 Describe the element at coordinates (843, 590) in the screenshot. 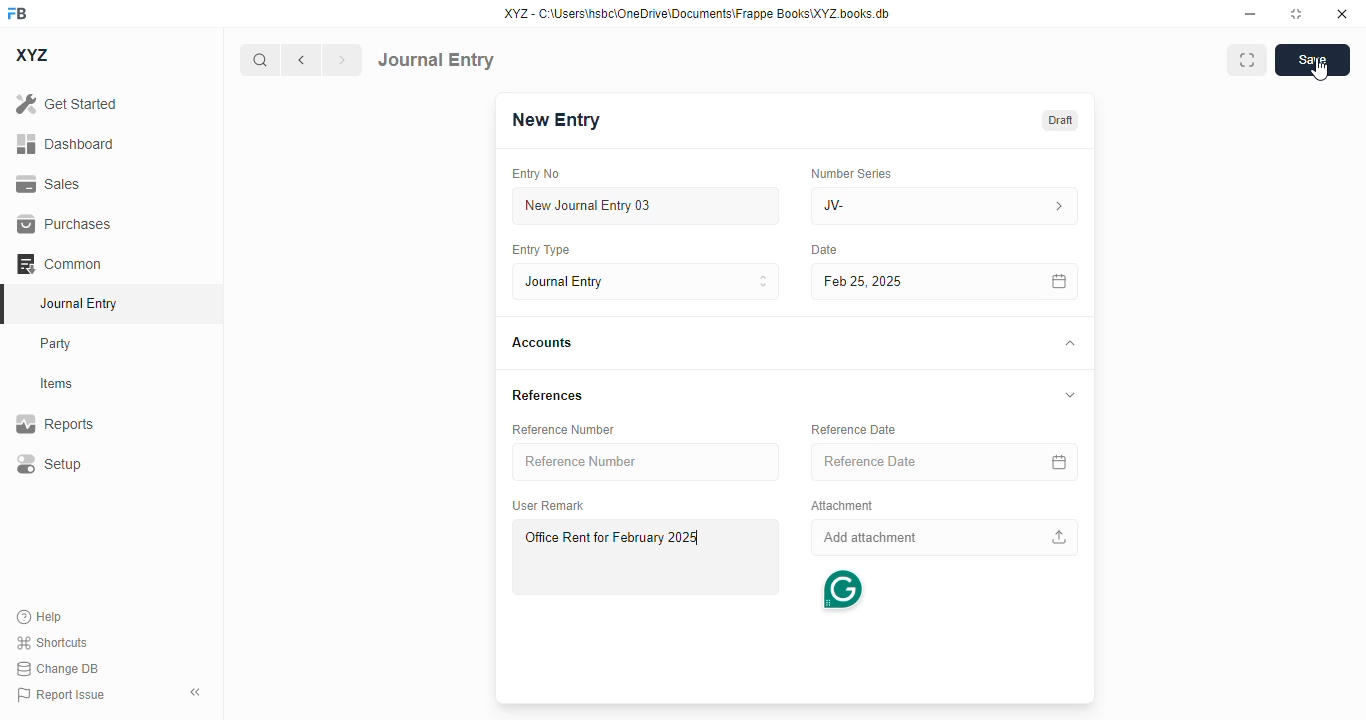

I see `grammarly extension` at that location.